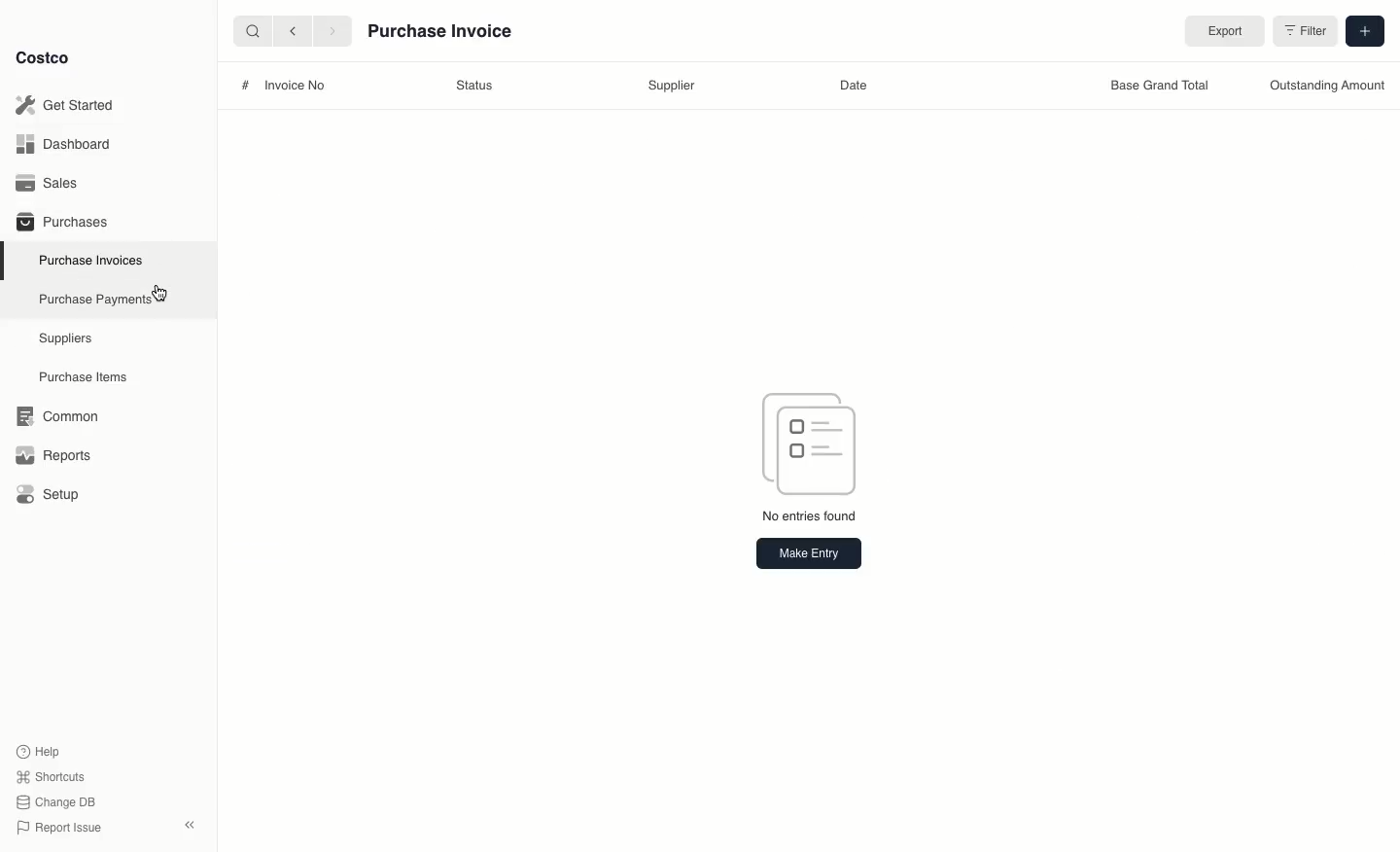 This screenshot has width=1400, height=852. What do you see at coordinates (441, 34) in the screenshot?
I see `Purchase Invoice` at bounding box center [441, 34].